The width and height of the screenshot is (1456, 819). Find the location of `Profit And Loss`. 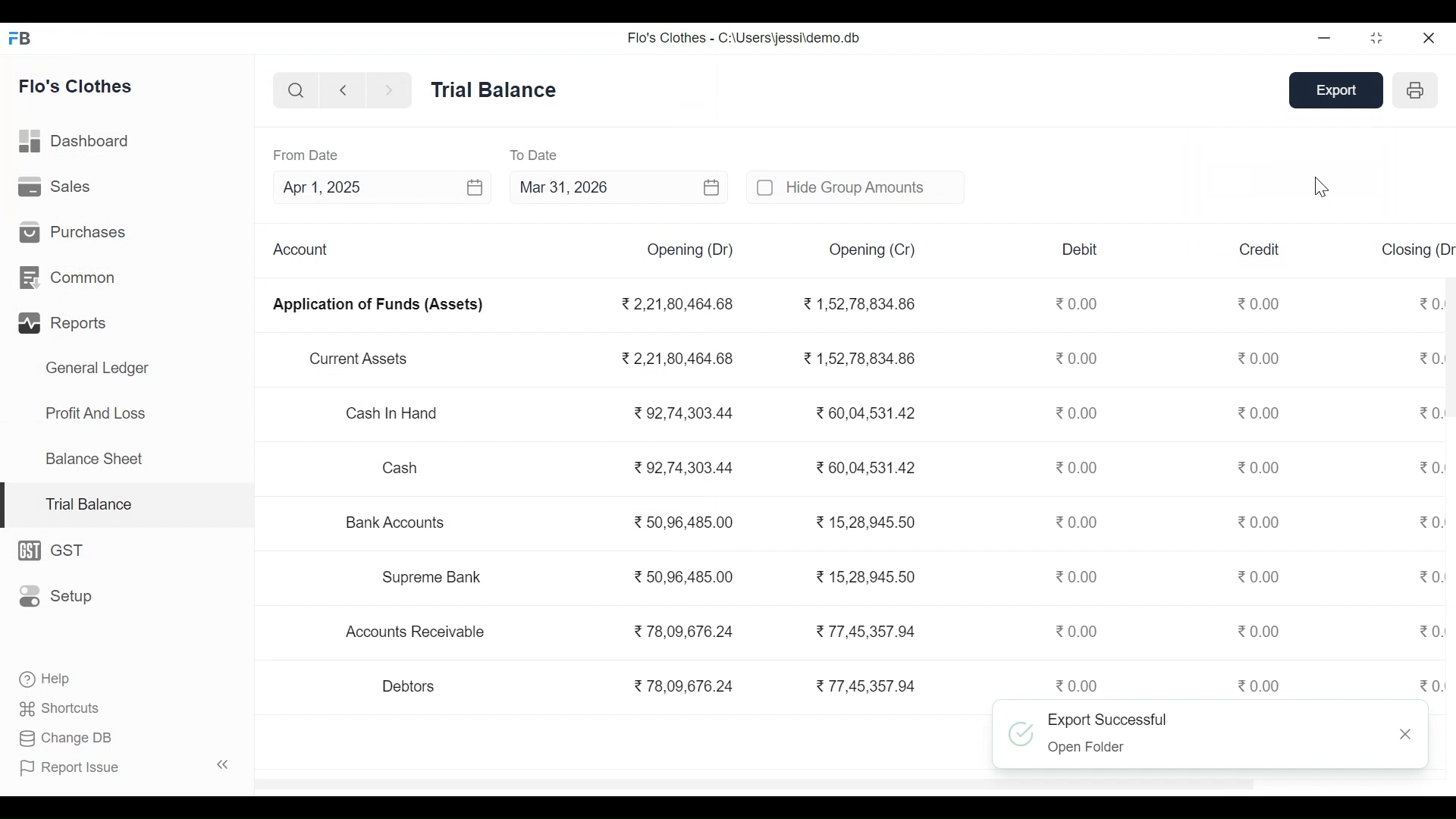

Profit And Loss is located at coordinates (96, 413).